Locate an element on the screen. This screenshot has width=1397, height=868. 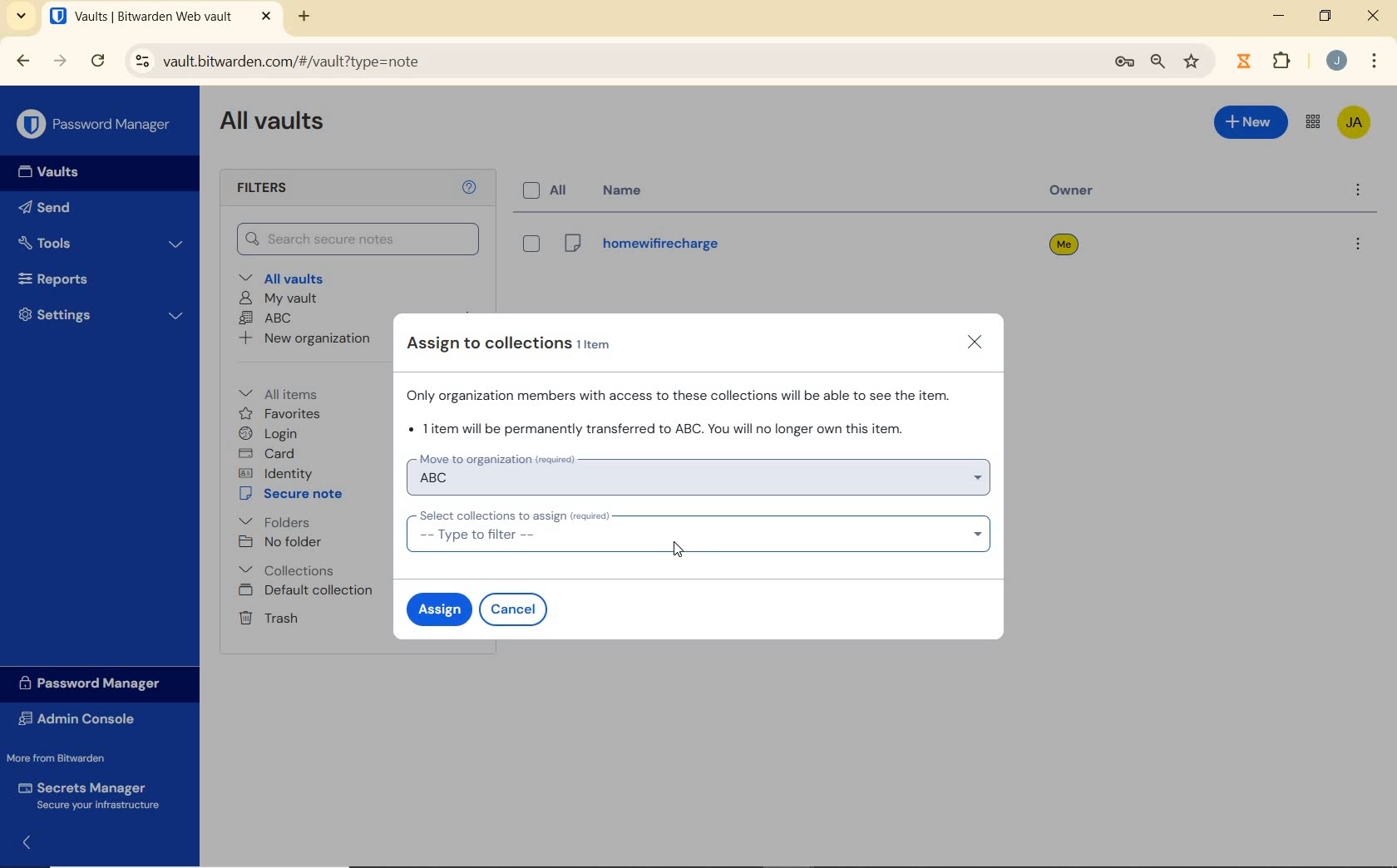
backward is located at coordinates (23, 62).